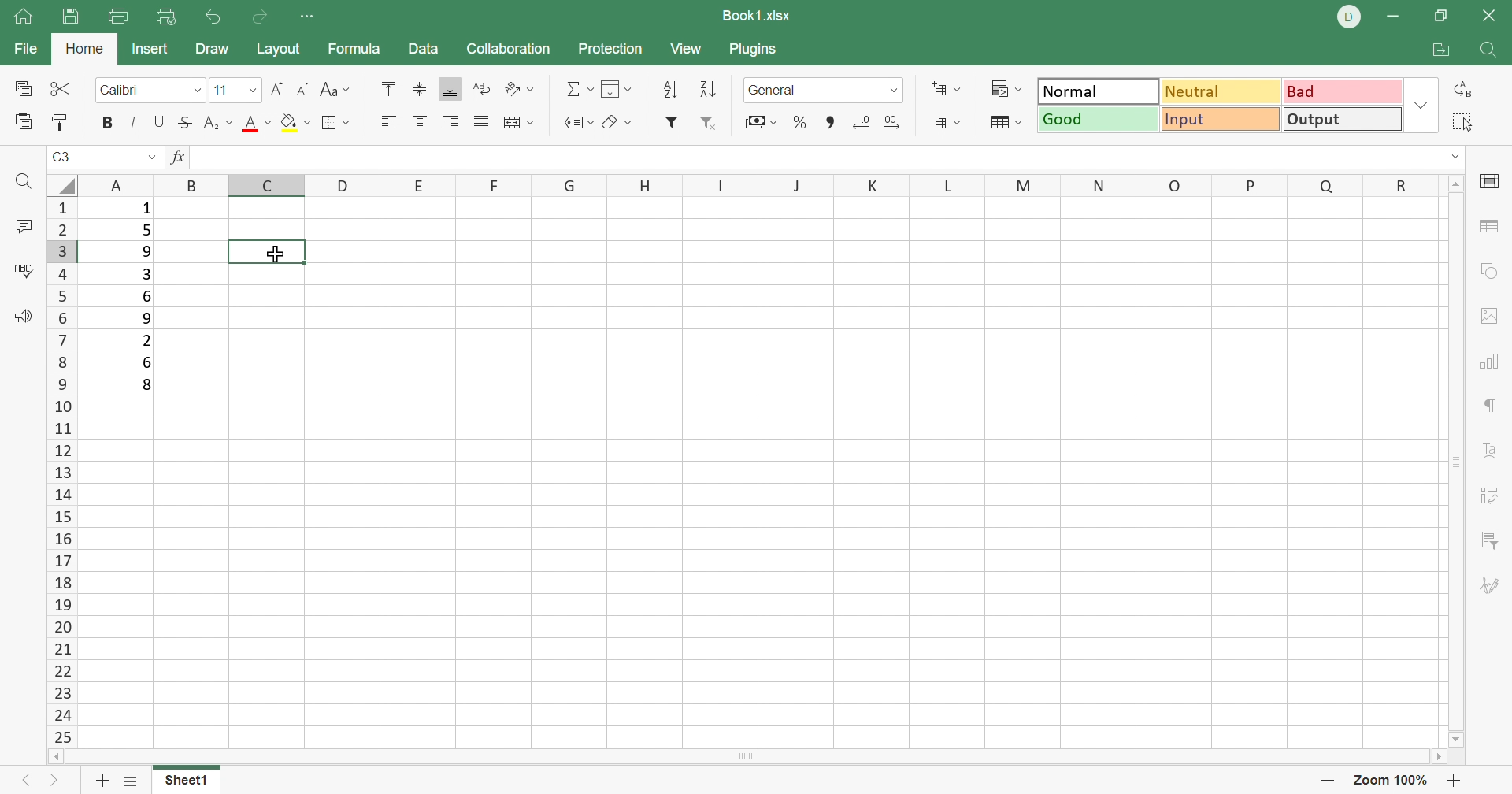  Describe the element at coordinates (1339, 118) in the screenshot. I see `Output` at that location.